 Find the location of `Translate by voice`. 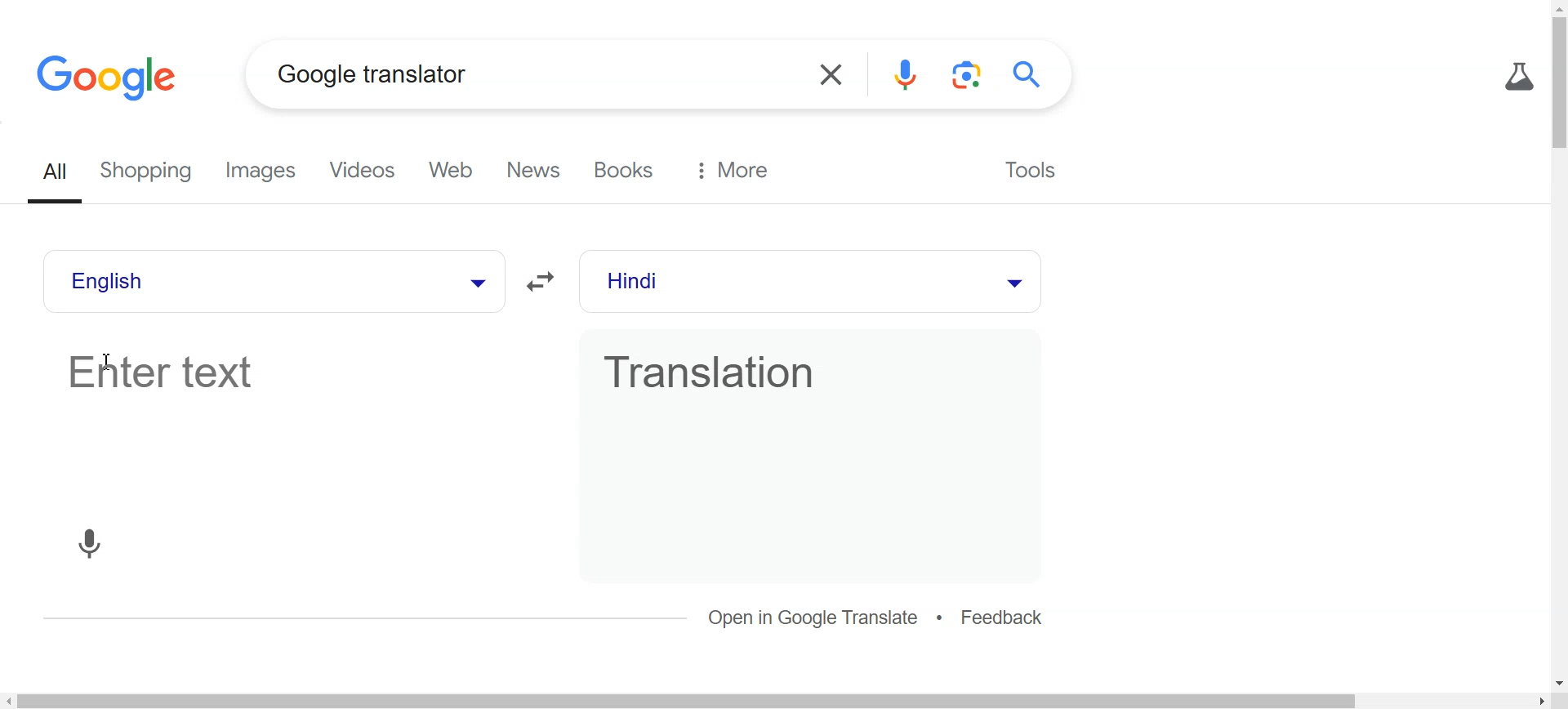

Translate by voice is located at coordinates (90, 542).